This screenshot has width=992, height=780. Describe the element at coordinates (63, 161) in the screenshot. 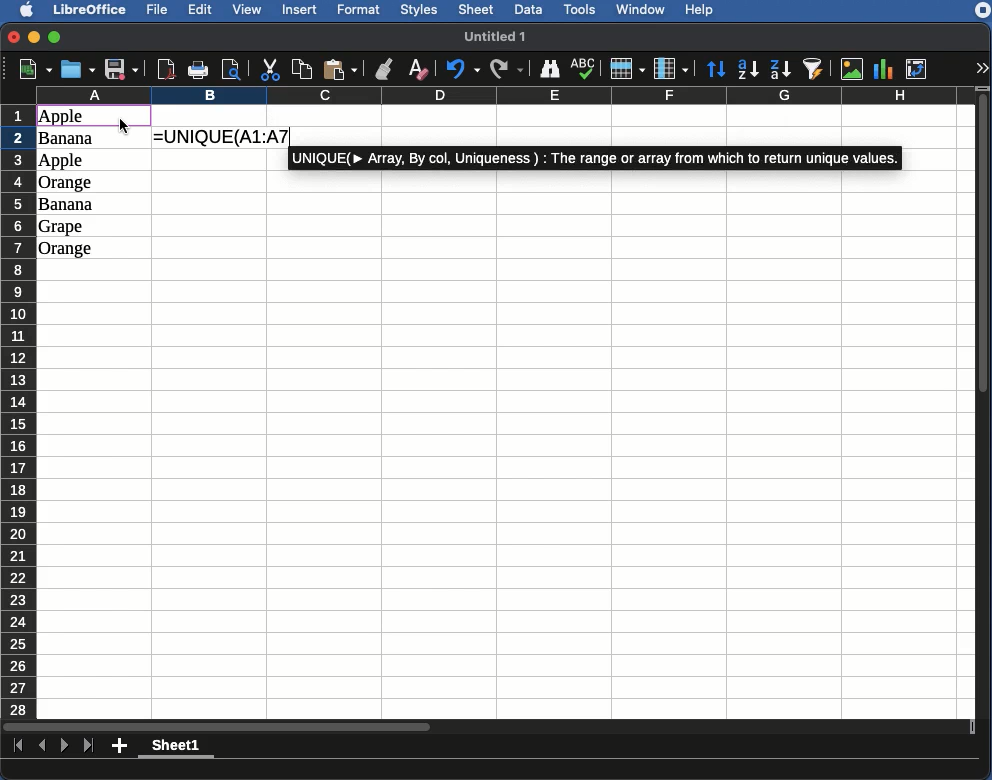

I see `Apple` at that location.